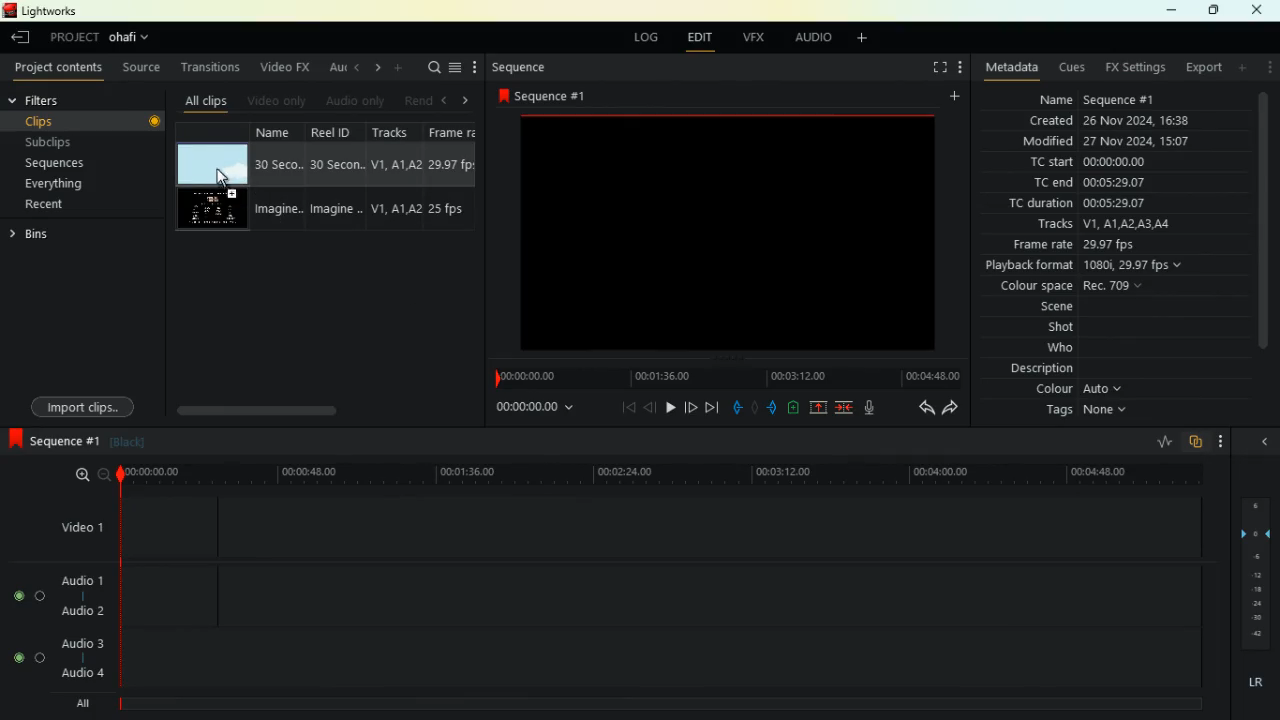  I want to click on video, so click(210, 210).